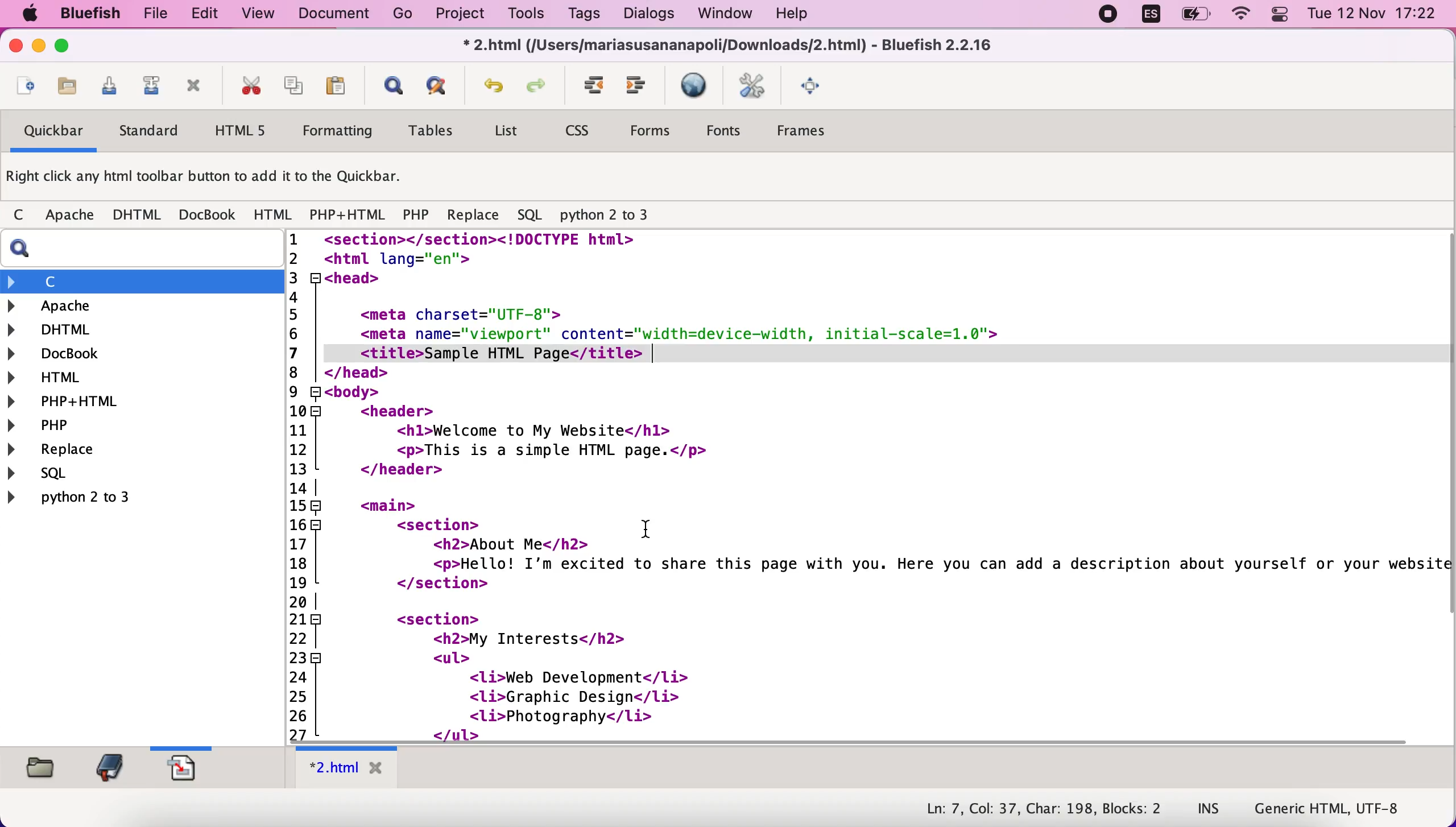 This screenshot has width=1456, height=827. What do you see at coordinates (817, 87) in the screenshot?
I see `Fullscreen` at bounding box center [817, 87].